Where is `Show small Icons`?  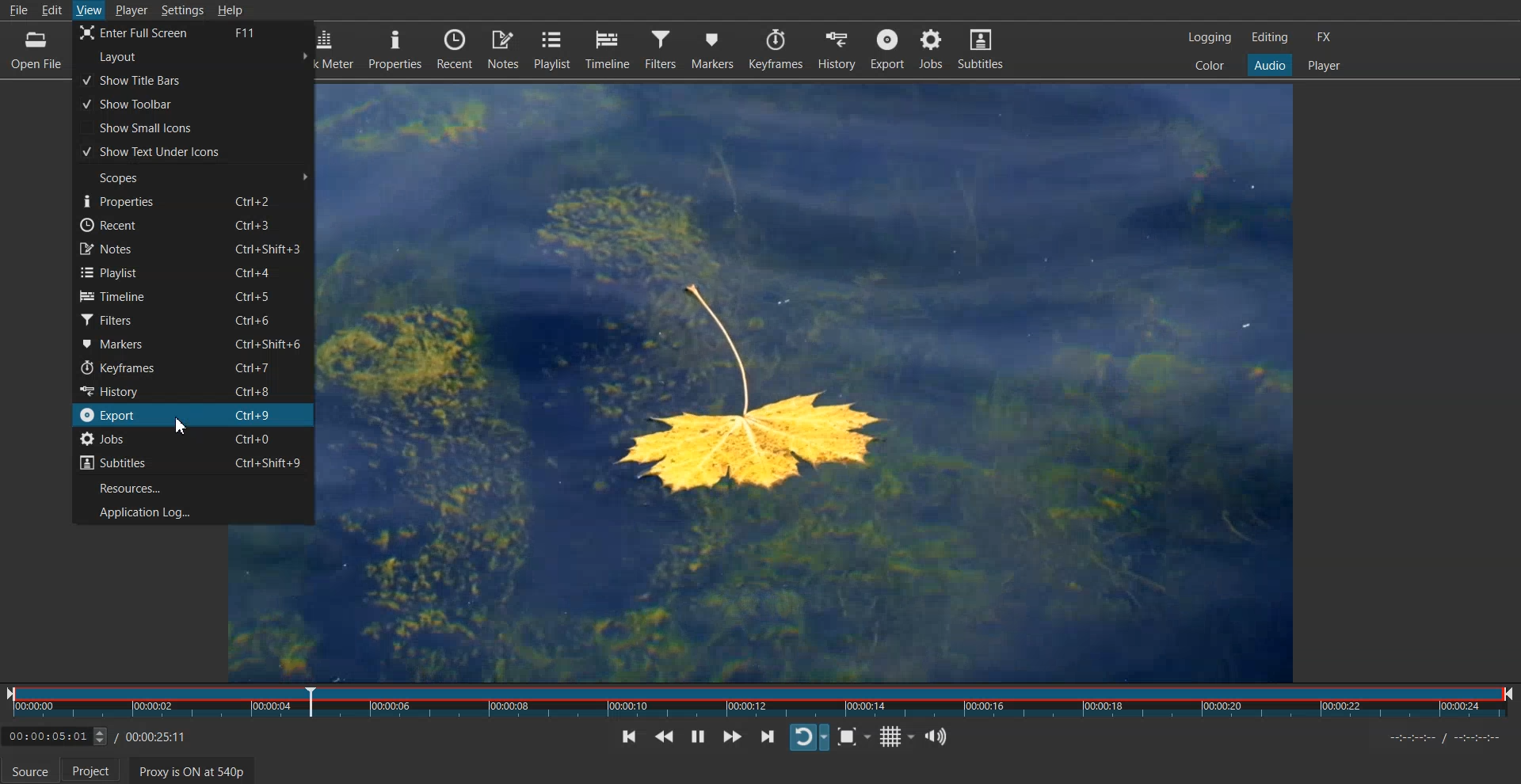 Show small Icons is located at coordinates (193, 127).